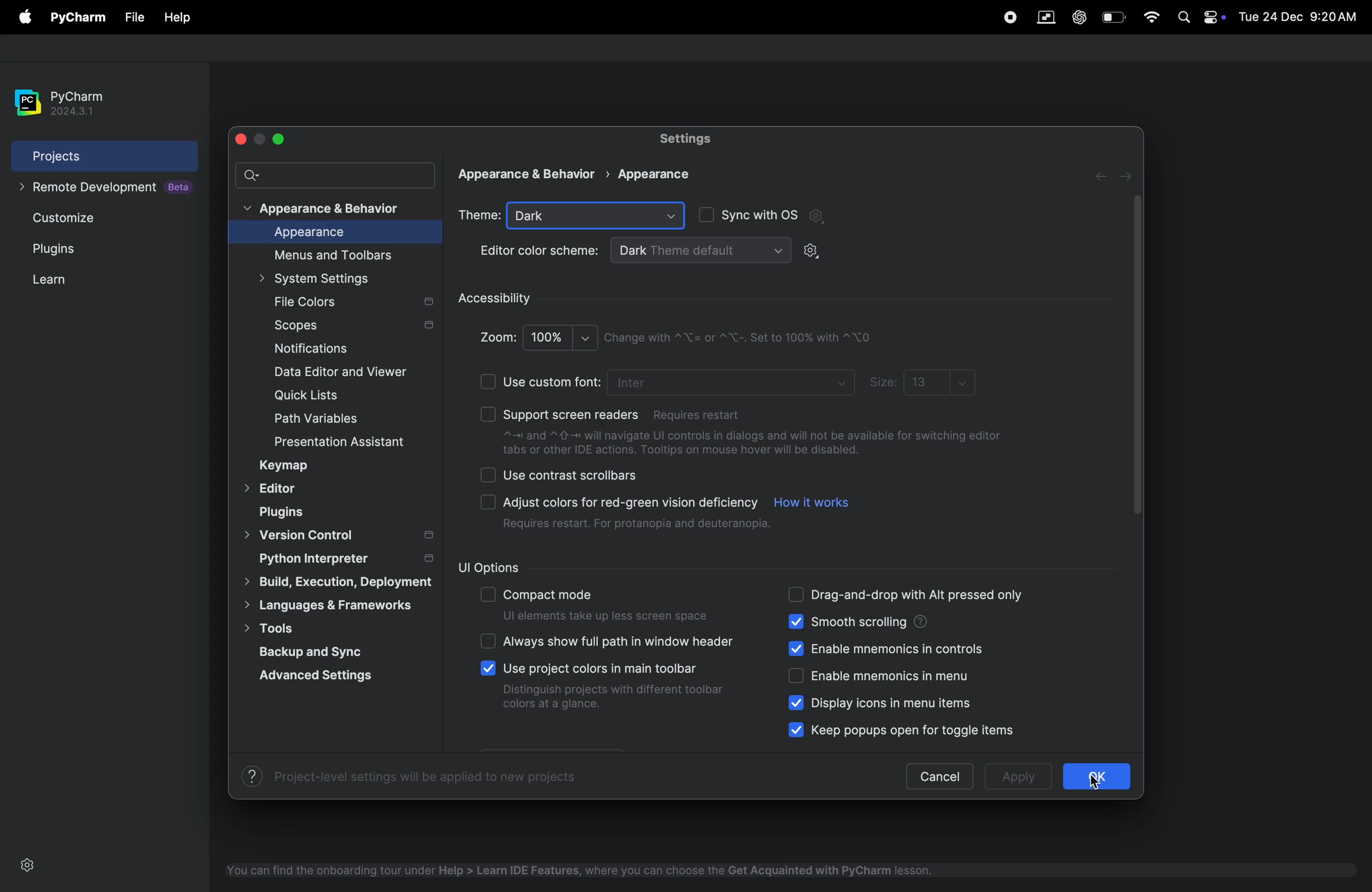  What do you see at coordinates (913, 622) in the screenshot?
I see `smooth scrolloing` at bounding box center [913, 622].